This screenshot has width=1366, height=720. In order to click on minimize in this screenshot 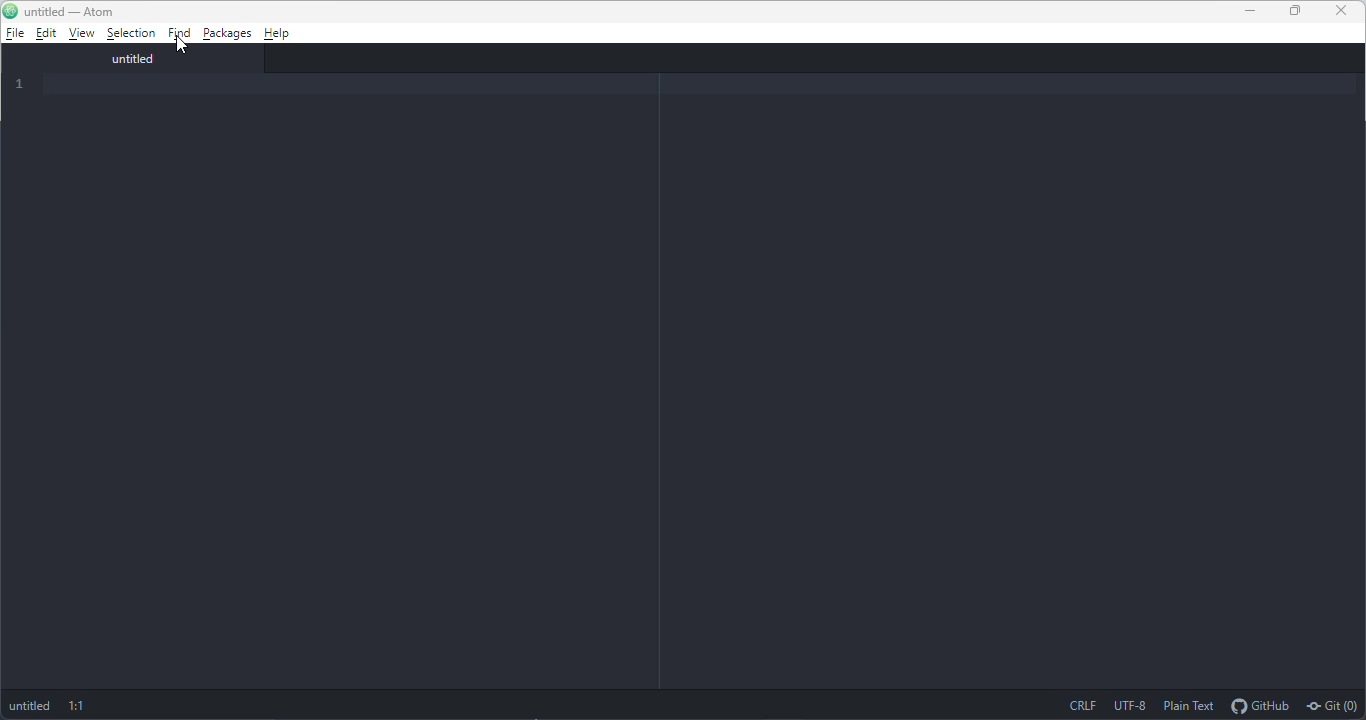, I will do `click(1251, 11)`.